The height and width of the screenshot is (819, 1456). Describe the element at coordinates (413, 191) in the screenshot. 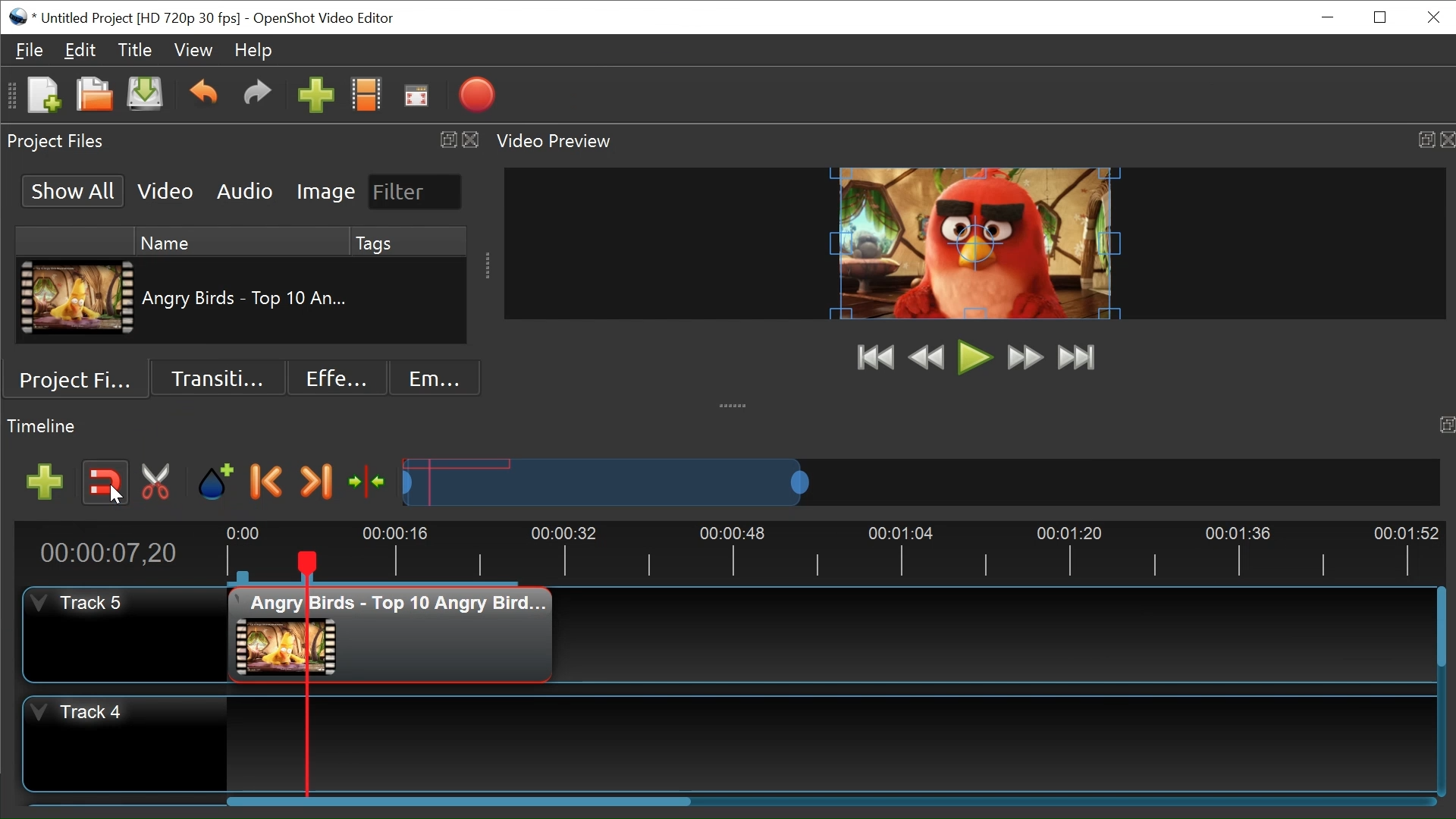

I see `Filter` at that location.